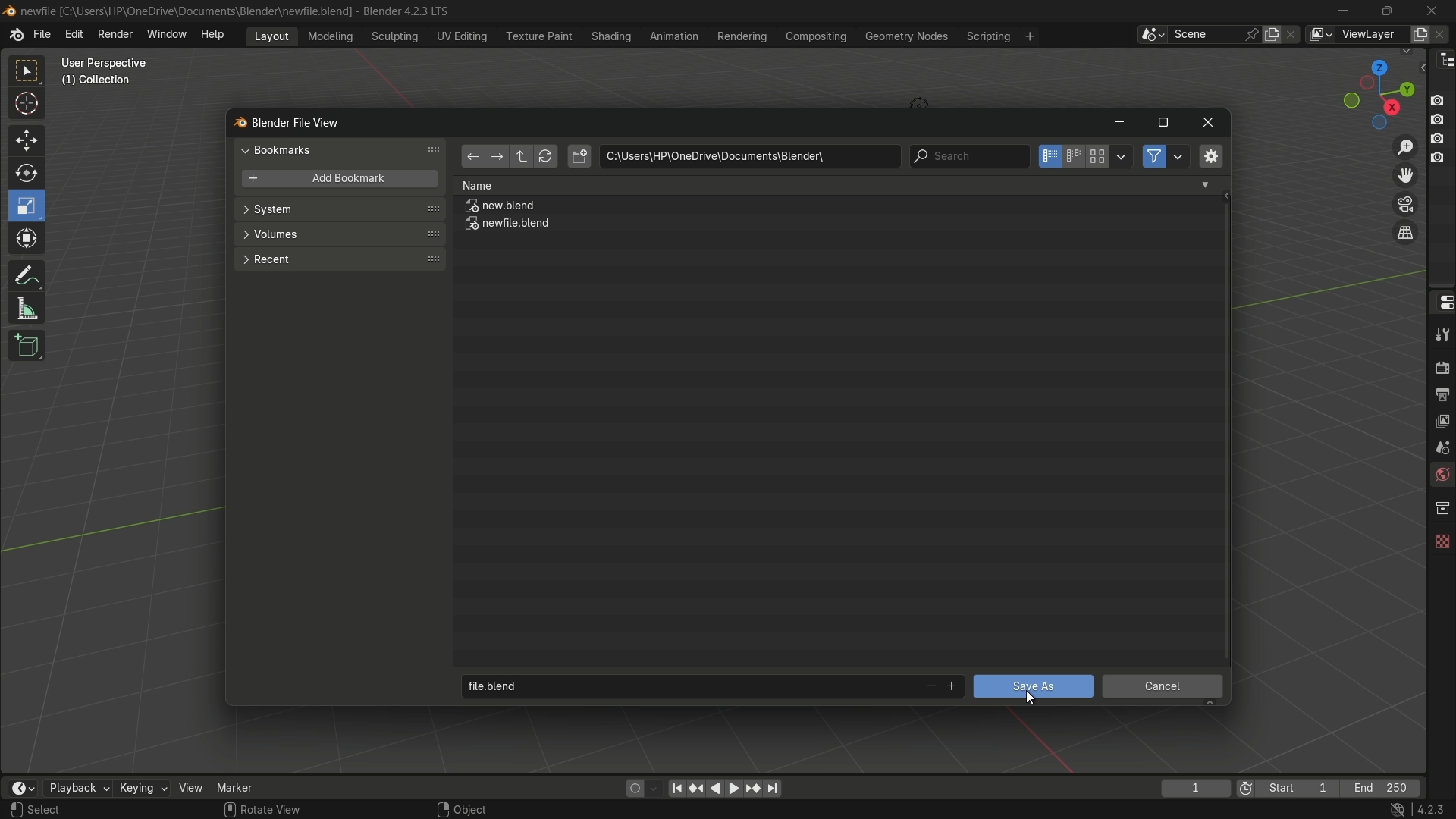 The image size is (1456, 819). What do you see at coordinates (968, 156) in the screenshot?
I see `search bar` at bounding box center [968, 156].